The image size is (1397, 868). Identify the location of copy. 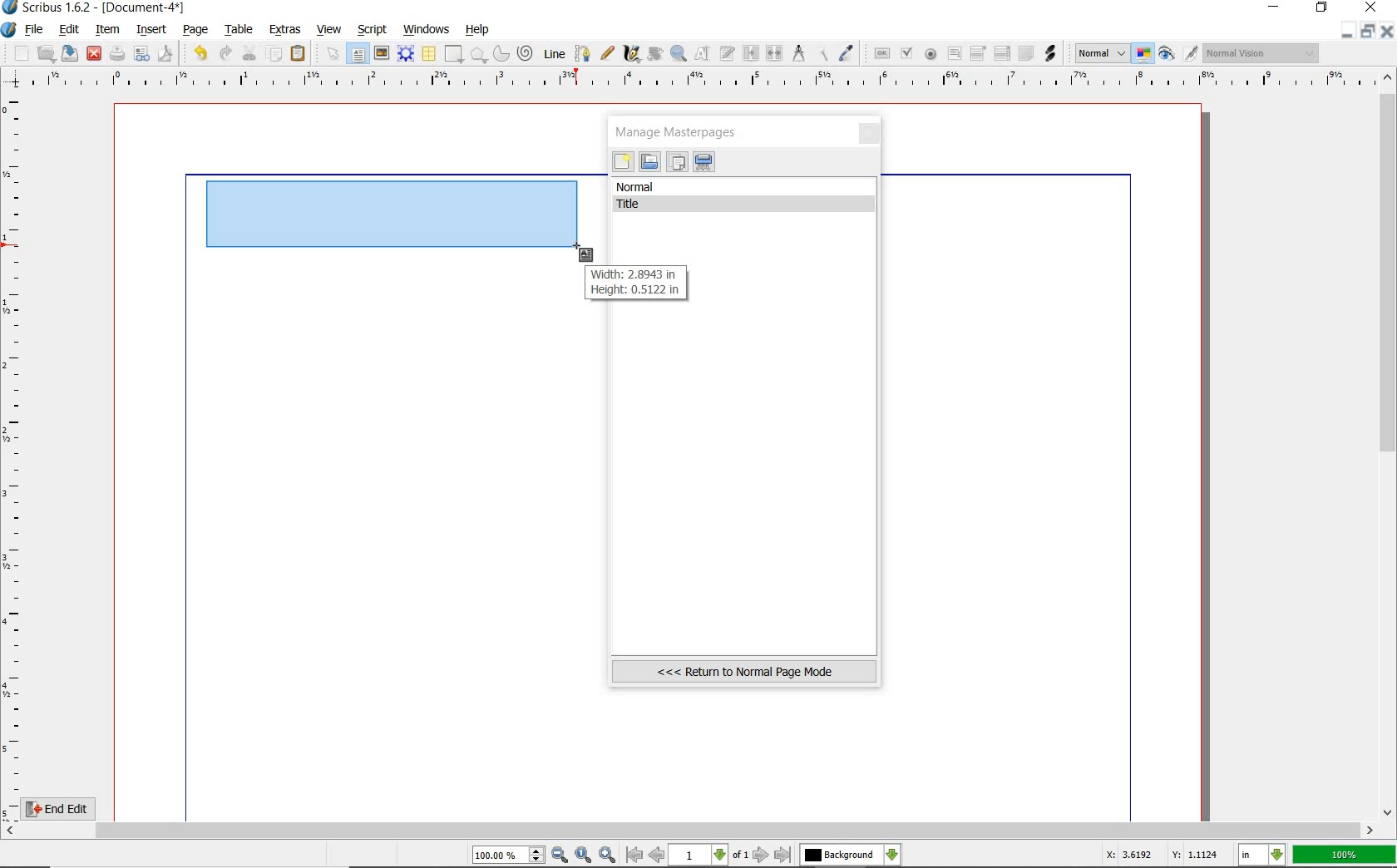
(274, 52).